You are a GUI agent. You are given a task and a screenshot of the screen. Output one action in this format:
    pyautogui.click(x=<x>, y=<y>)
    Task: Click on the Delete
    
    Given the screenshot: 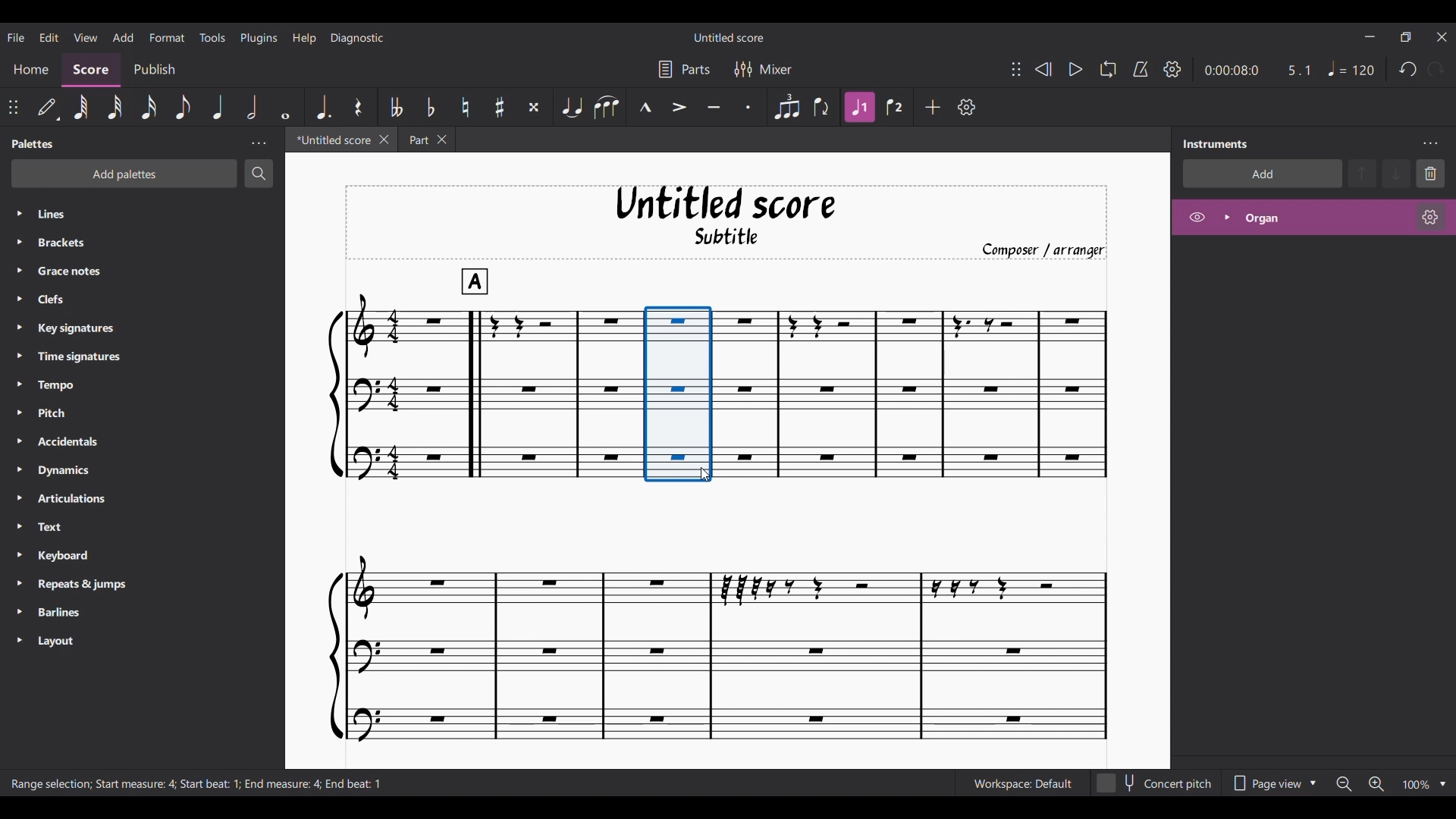 What is the action you would take?
    pyautogui.click(x=1431, y=173)
    